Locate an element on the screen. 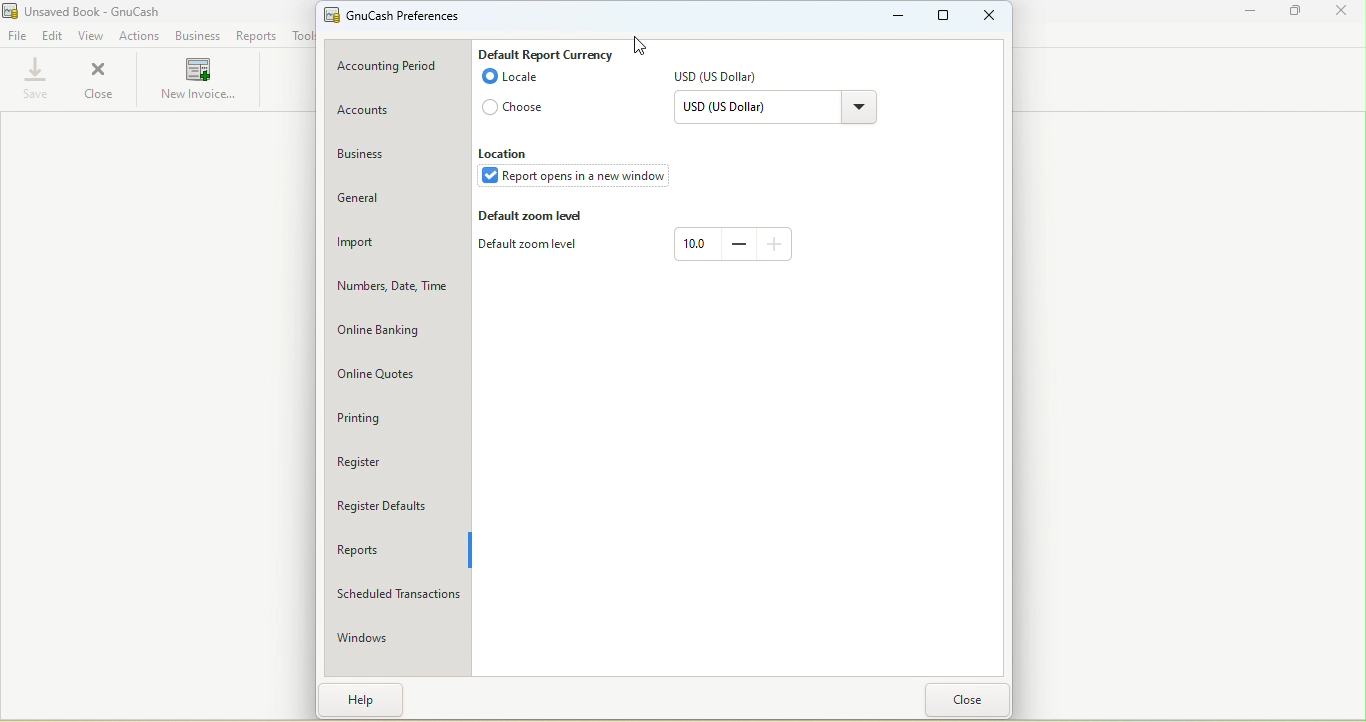  Close is located at coordinates (98, 80).